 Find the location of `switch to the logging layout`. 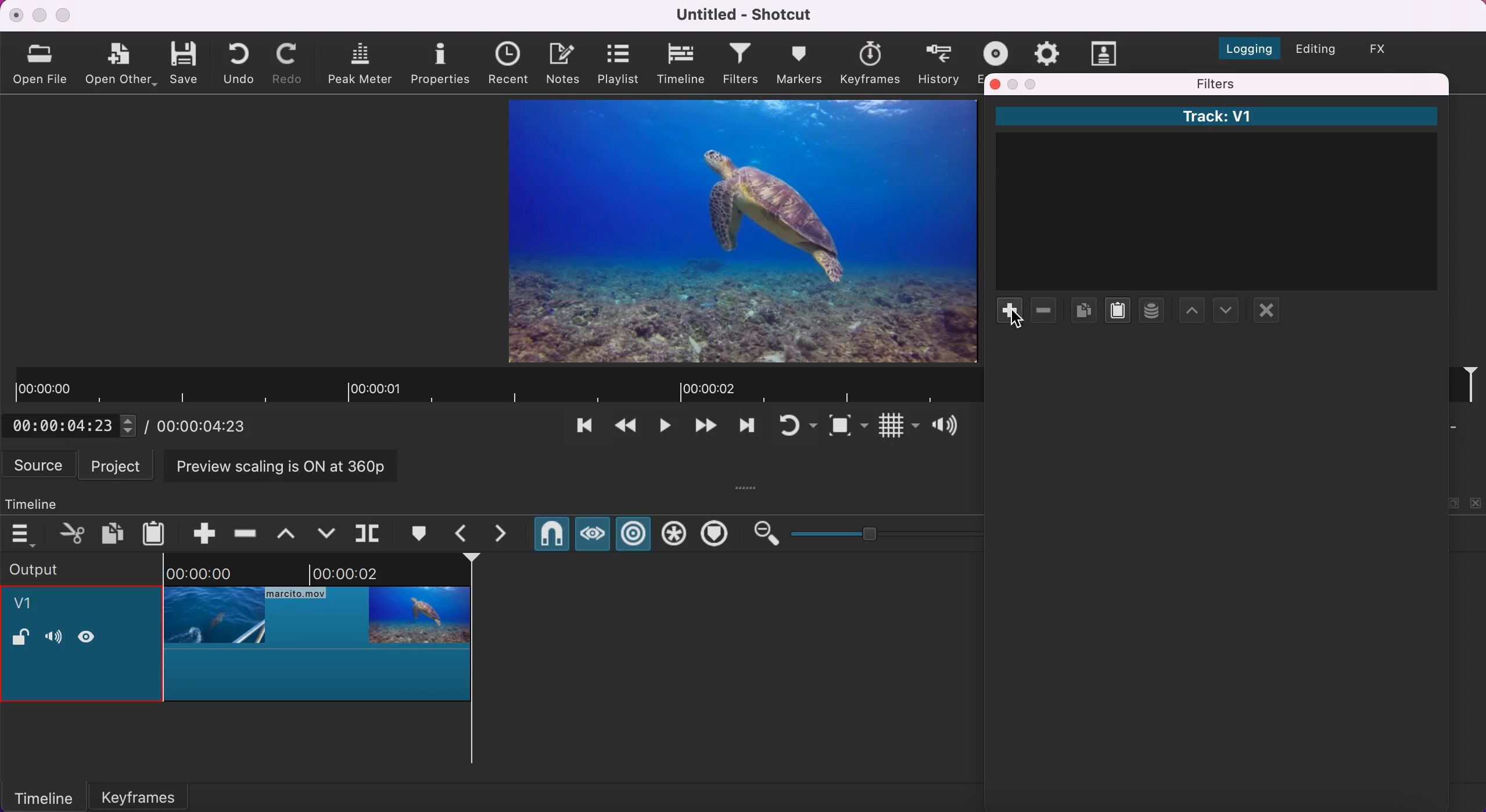

switch to the logging layout is located at coordinates (1243, 45).